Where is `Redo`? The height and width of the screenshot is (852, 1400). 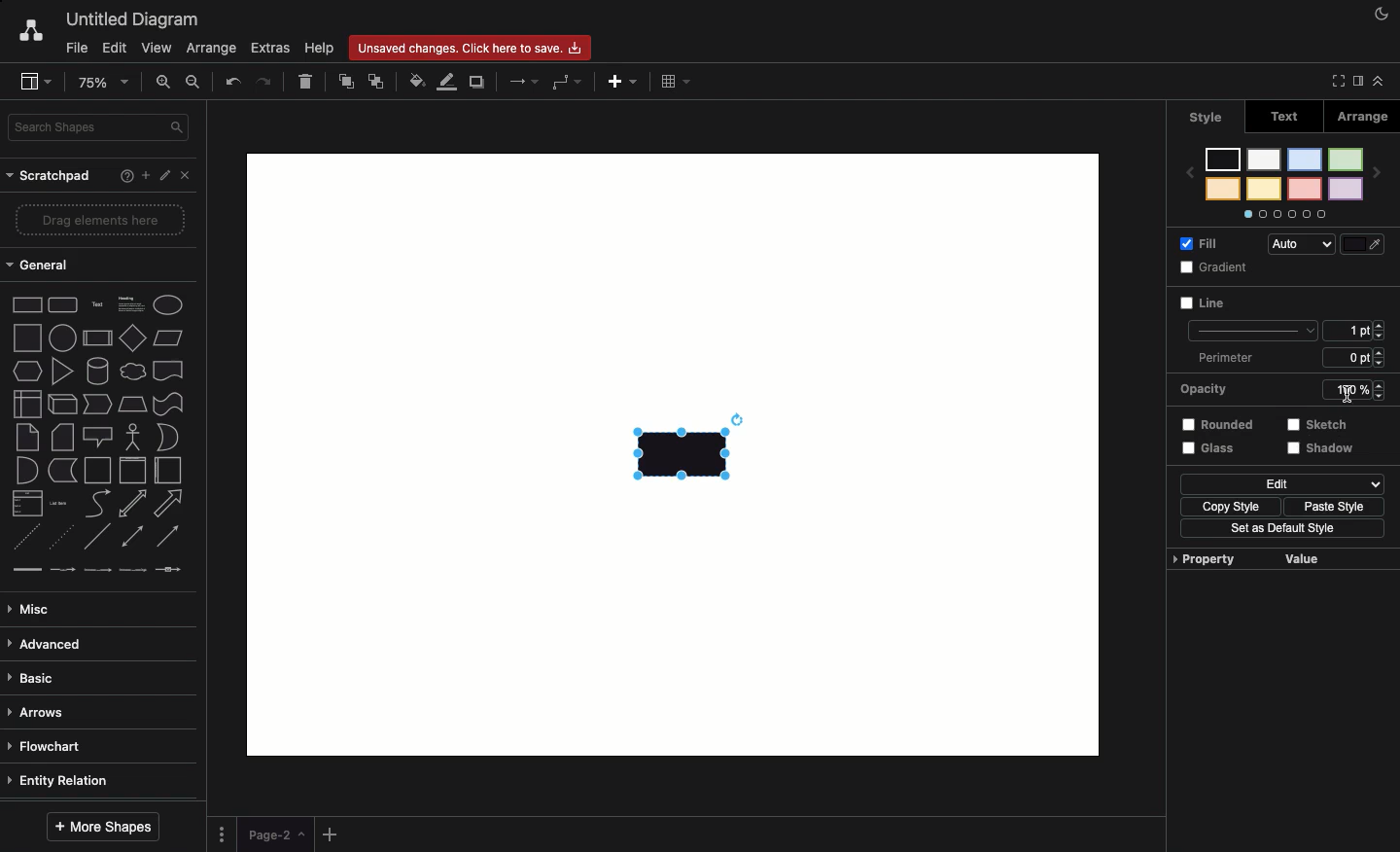 Redo is located at coordinates (266, 85).